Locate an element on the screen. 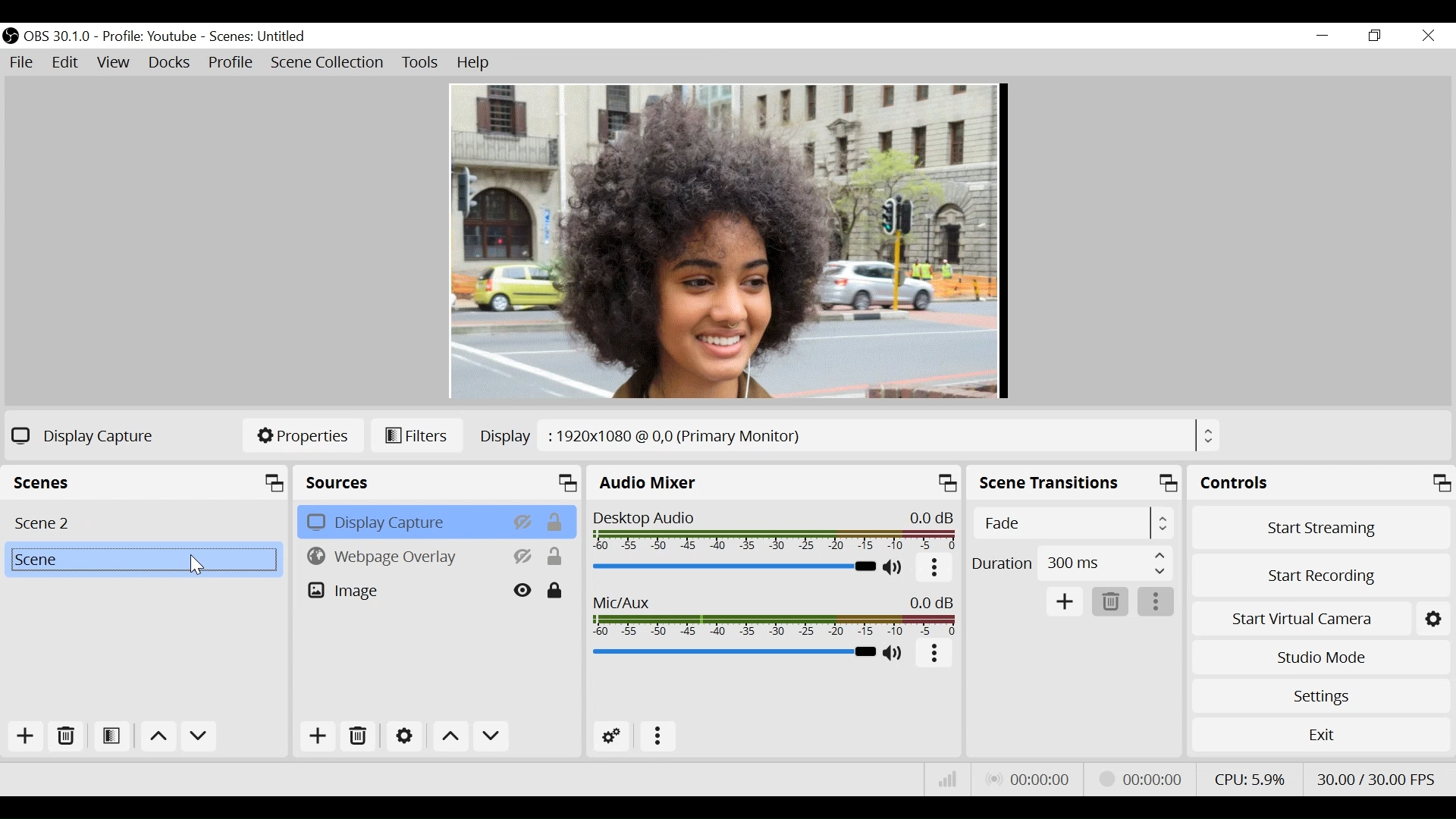  Display Capture is located at coordinates (87, 435).